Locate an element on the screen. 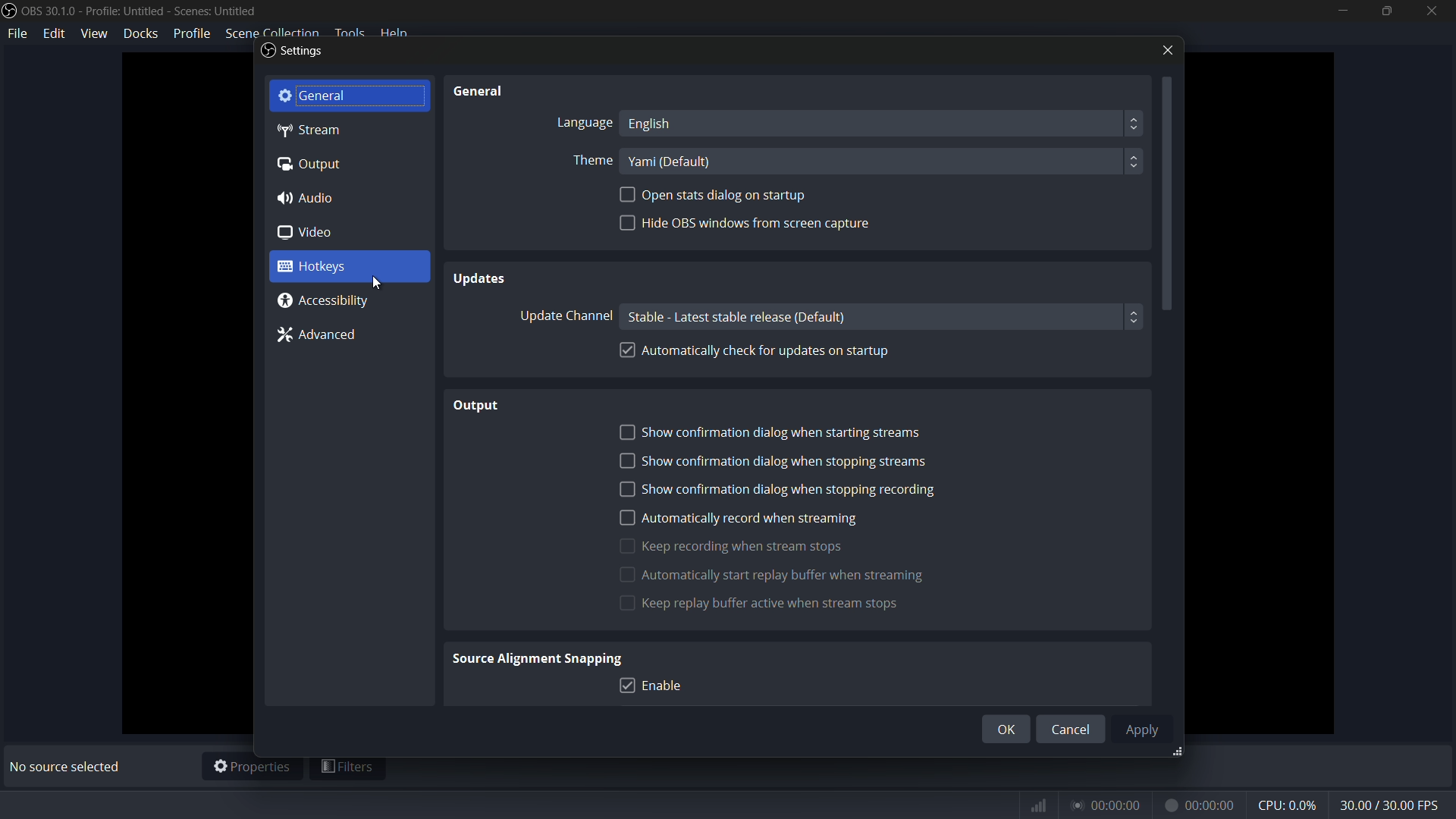 The width and height of the screenshot is (1456, 819). fps is located at coordinates (1391, 806).